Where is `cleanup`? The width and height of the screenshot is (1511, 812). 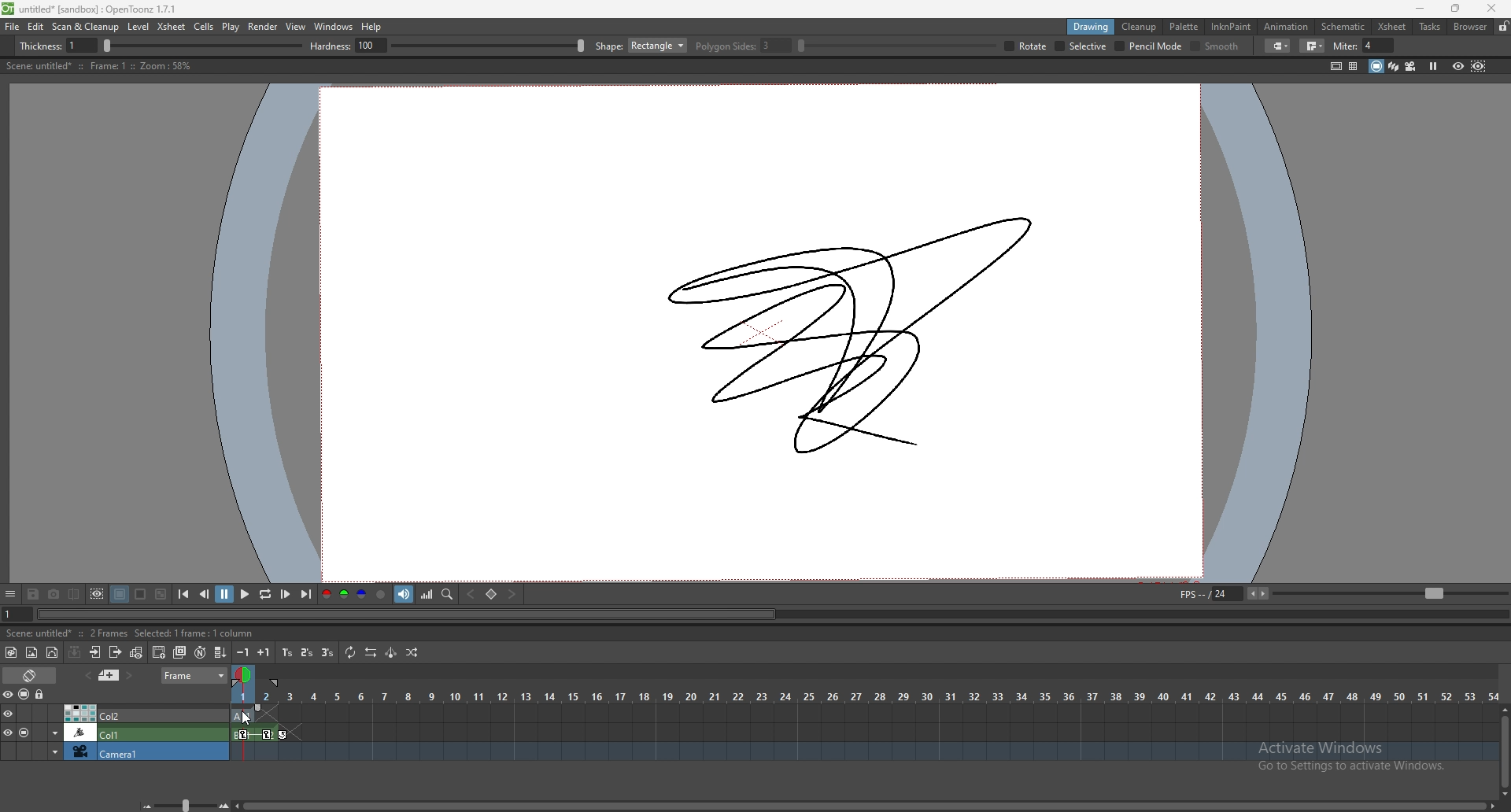
cleanup is located at coordinates (1139, 27).